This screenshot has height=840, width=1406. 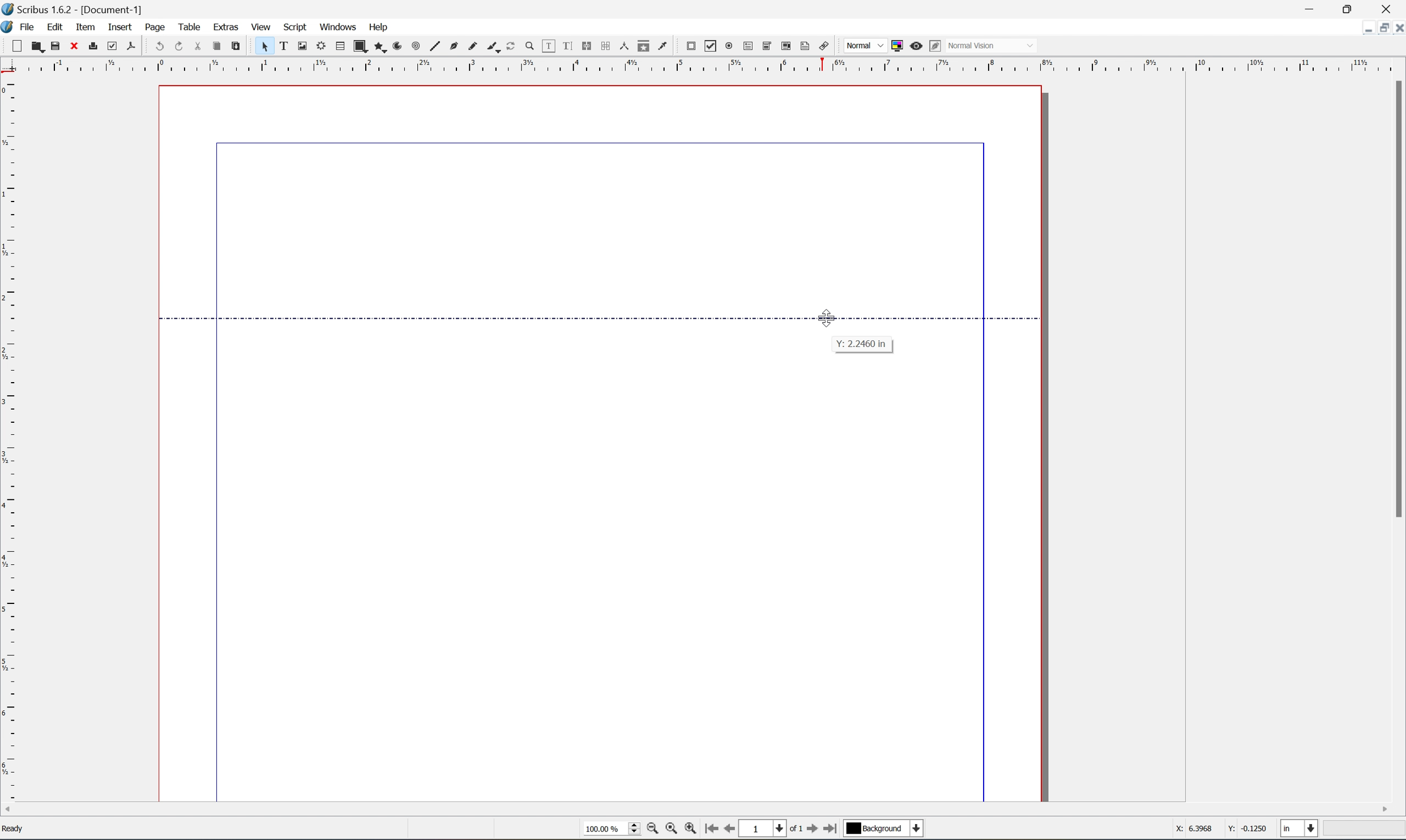 I want to click on Scribus 1.6.2 - [Document-1], so click(x=88, y=9).